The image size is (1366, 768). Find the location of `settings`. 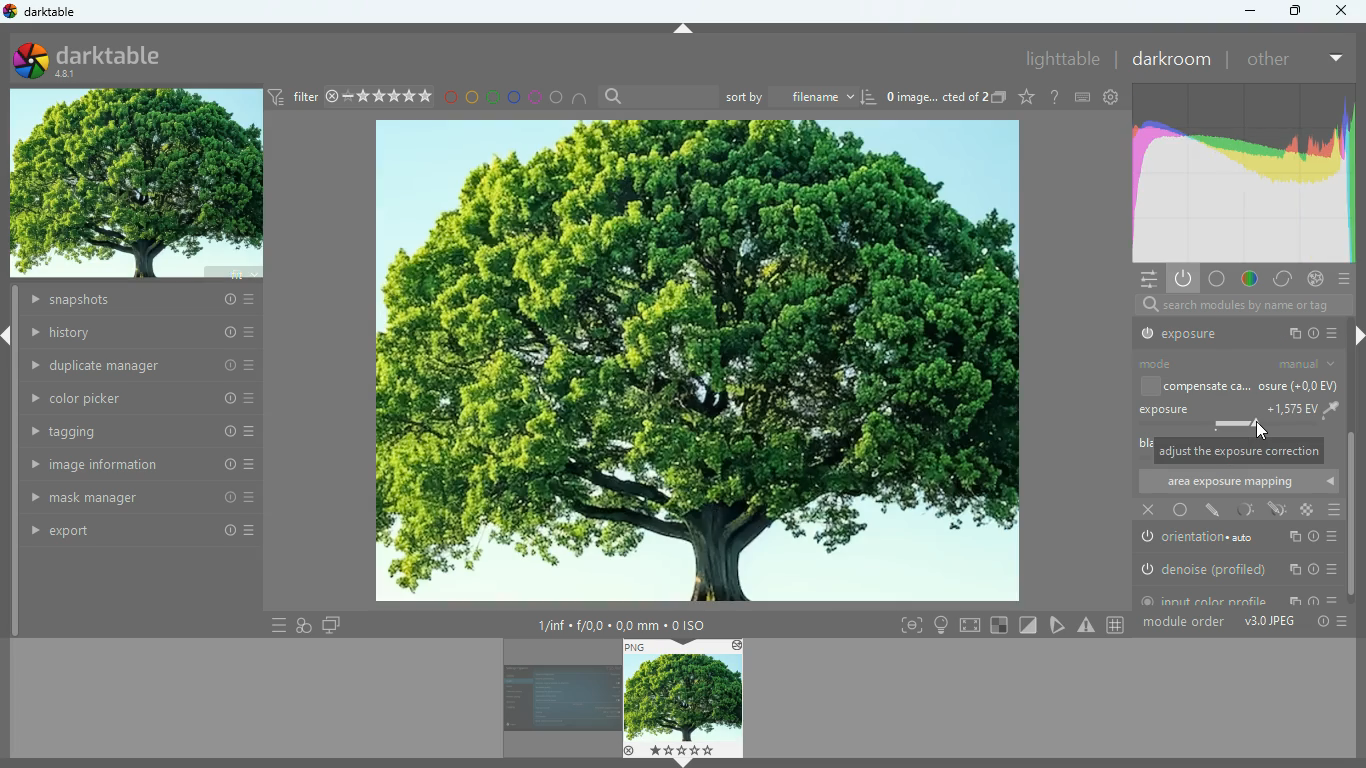

settings is located at coordinates (1055, 100).